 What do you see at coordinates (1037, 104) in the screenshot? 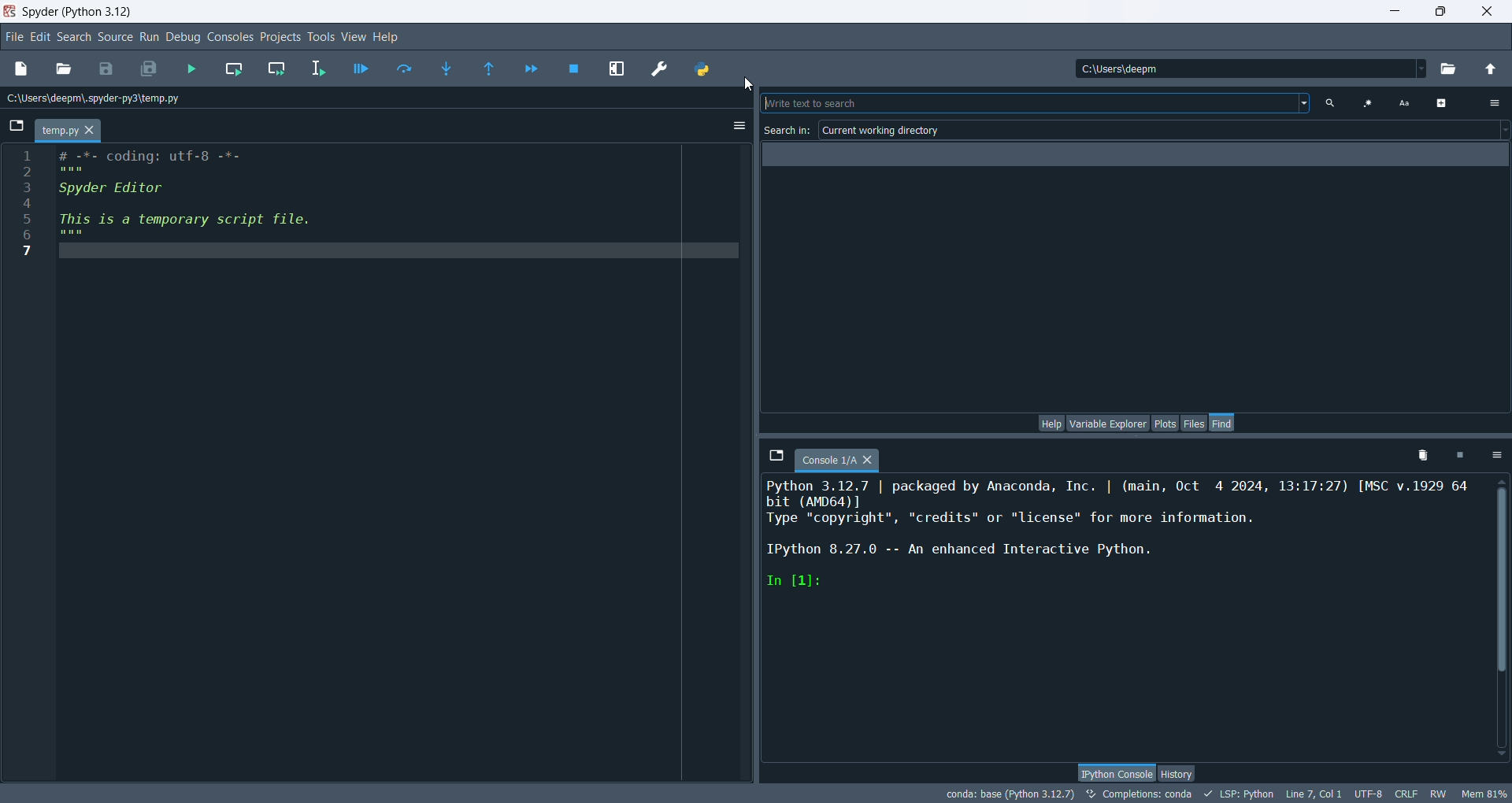
I see `write text to search` at bounding box center [1037, 104].